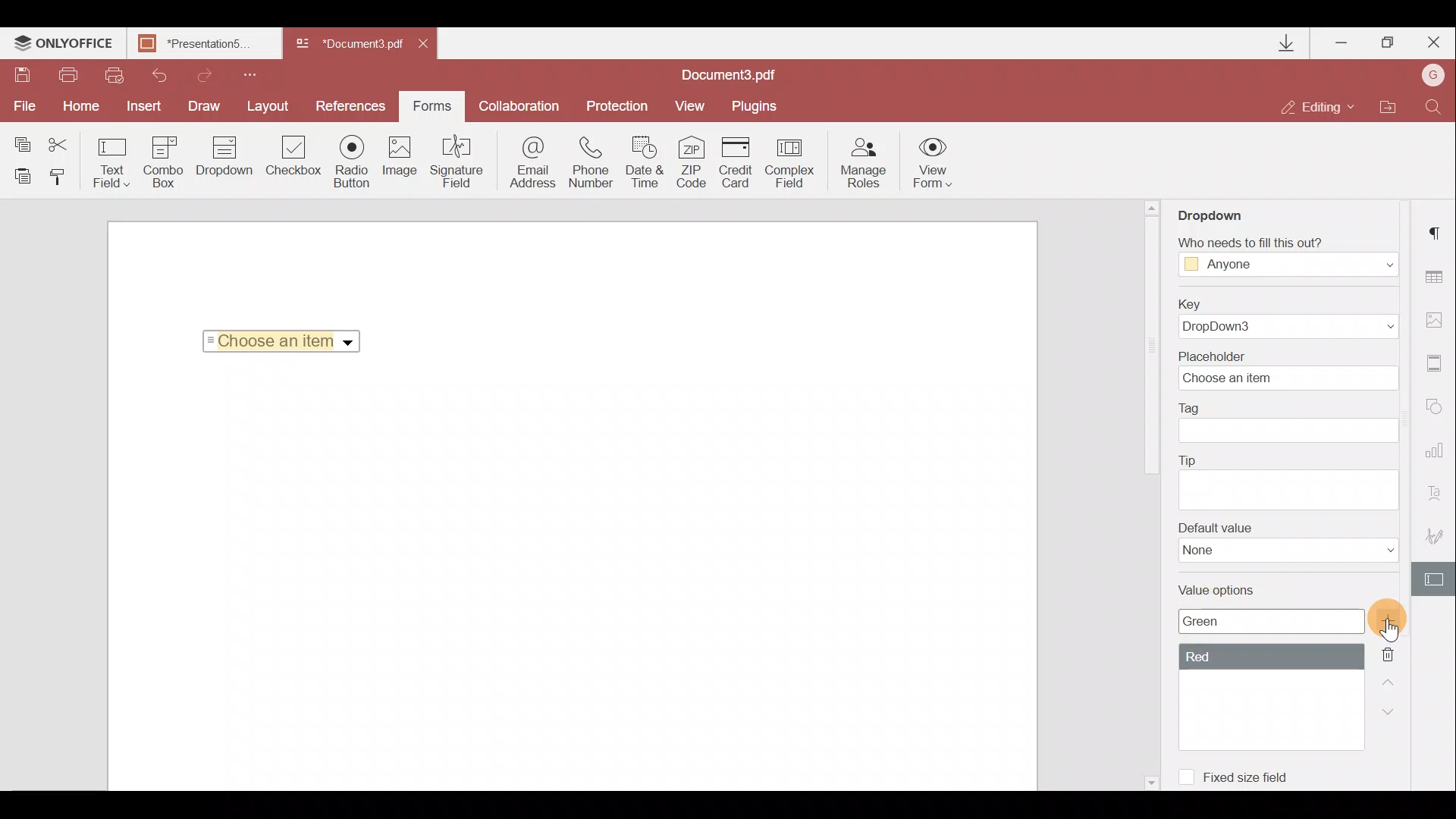 The height and width of the screenshot is (819, 1456). Describe the element at coordinates (738, 161) in the screenshot. I see `Credit card` at that location.